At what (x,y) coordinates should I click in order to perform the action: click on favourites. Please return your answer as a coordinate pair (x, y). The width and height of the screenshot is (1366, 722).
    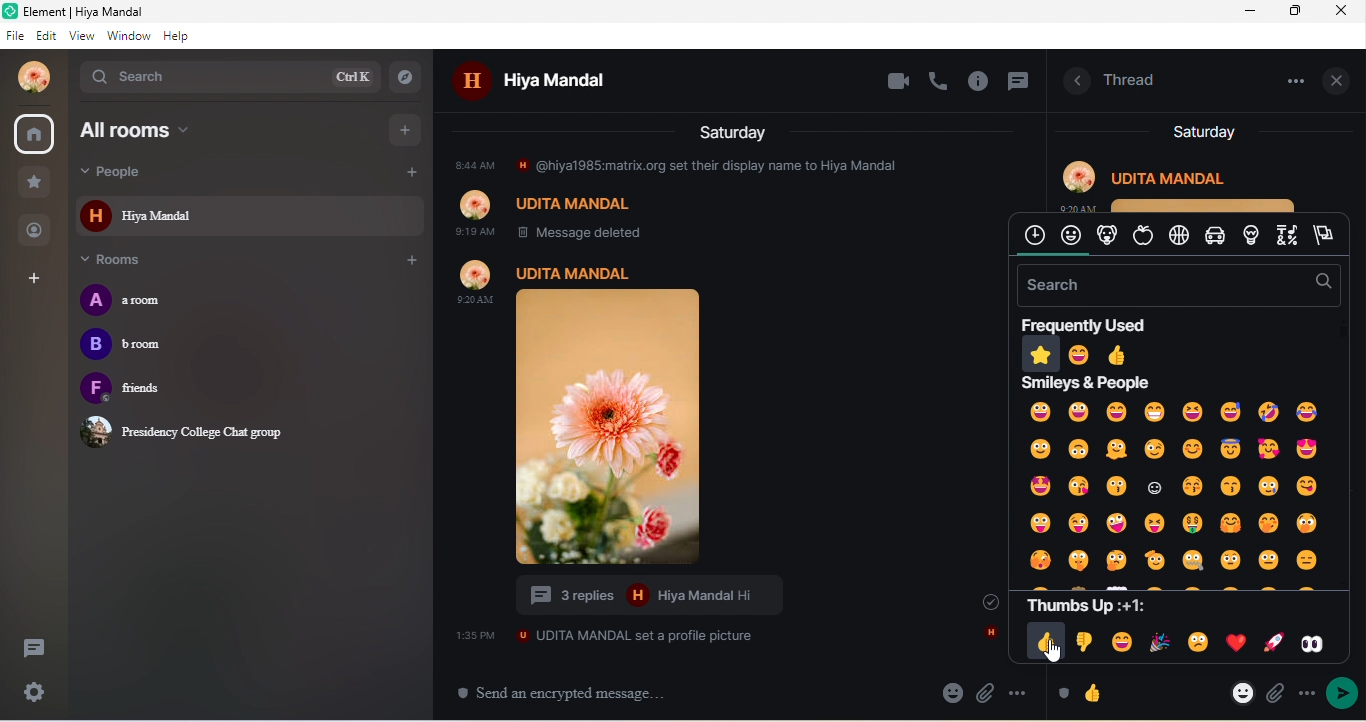
    Looking at the image, I should click on (34, 183).